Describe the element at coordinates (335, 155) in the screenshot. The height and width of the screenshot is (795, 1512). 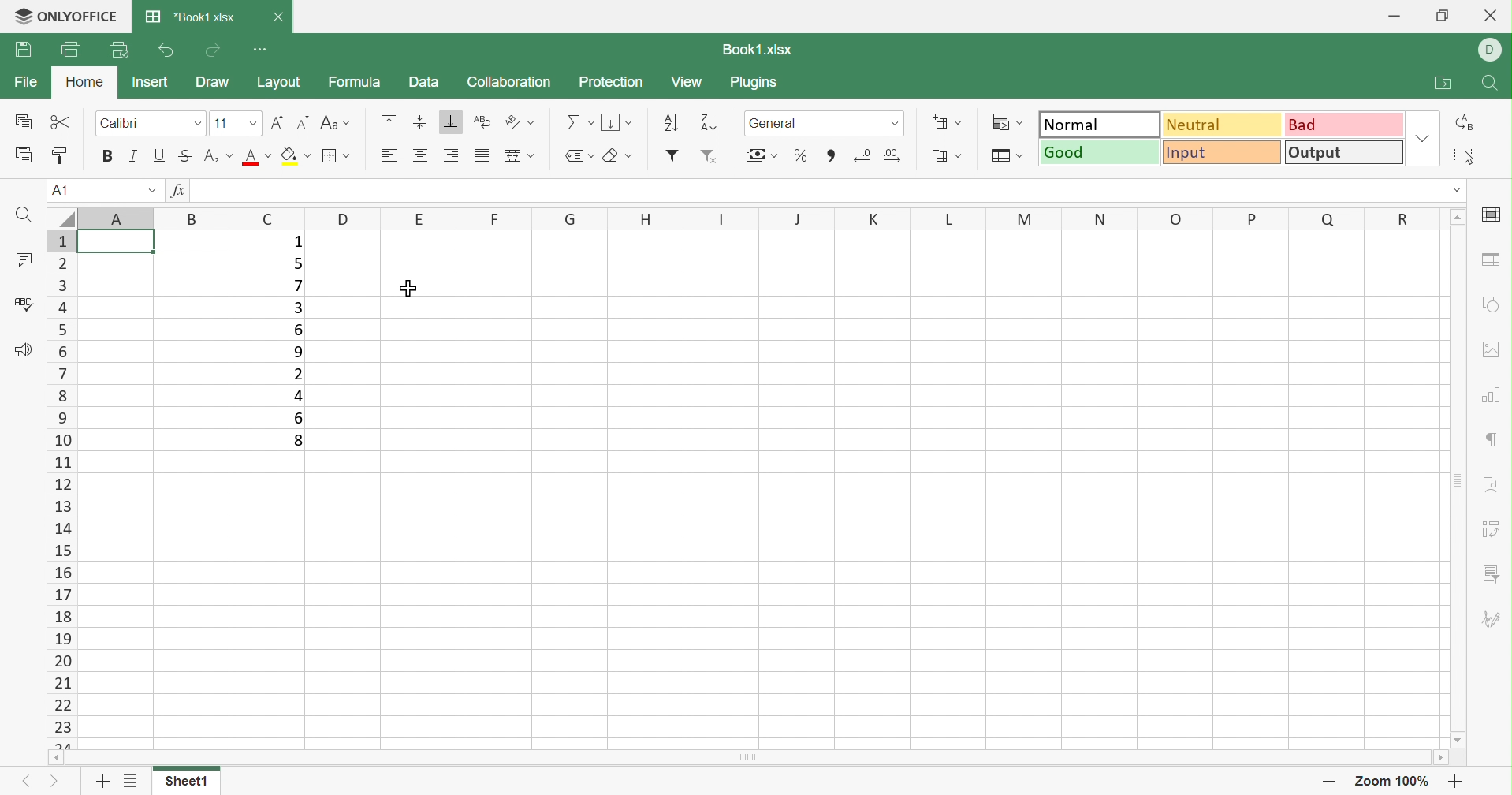
I see `Borders` at that location.